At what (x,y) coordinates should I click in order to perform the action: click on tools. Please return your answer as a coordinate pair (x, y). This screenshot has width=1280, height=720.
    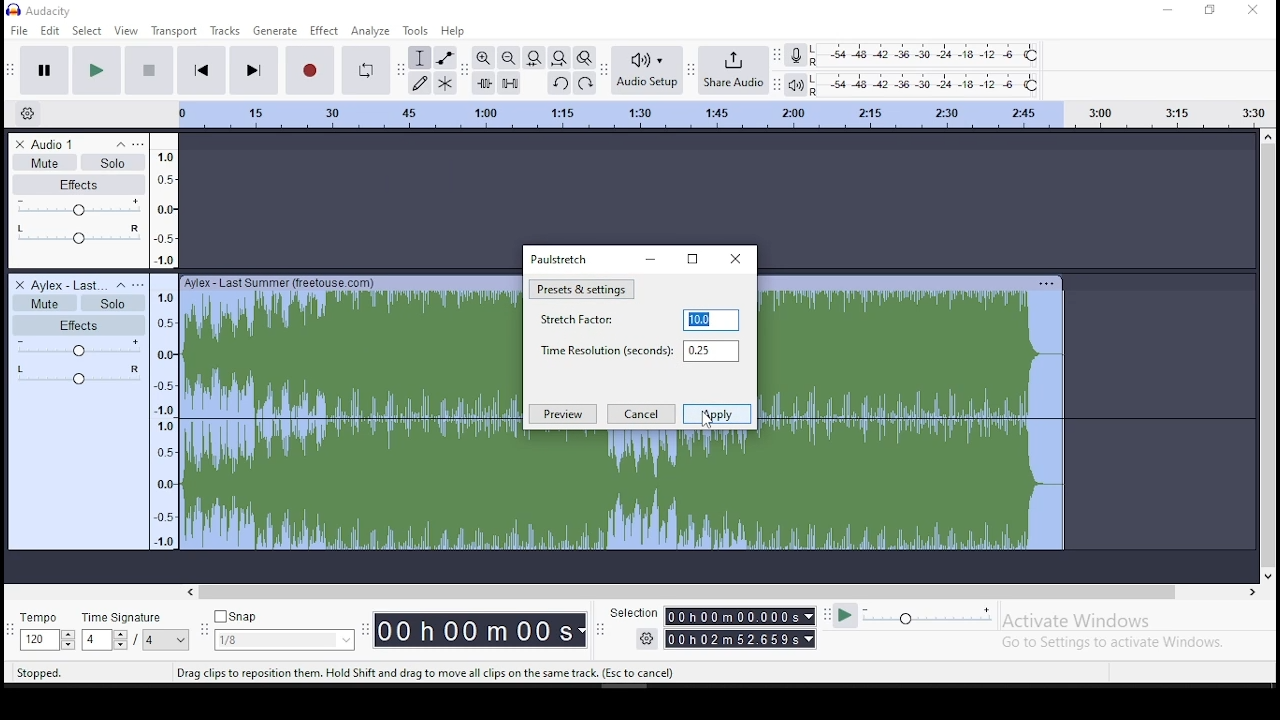
    Looking at the image, I should click on (416, 31).